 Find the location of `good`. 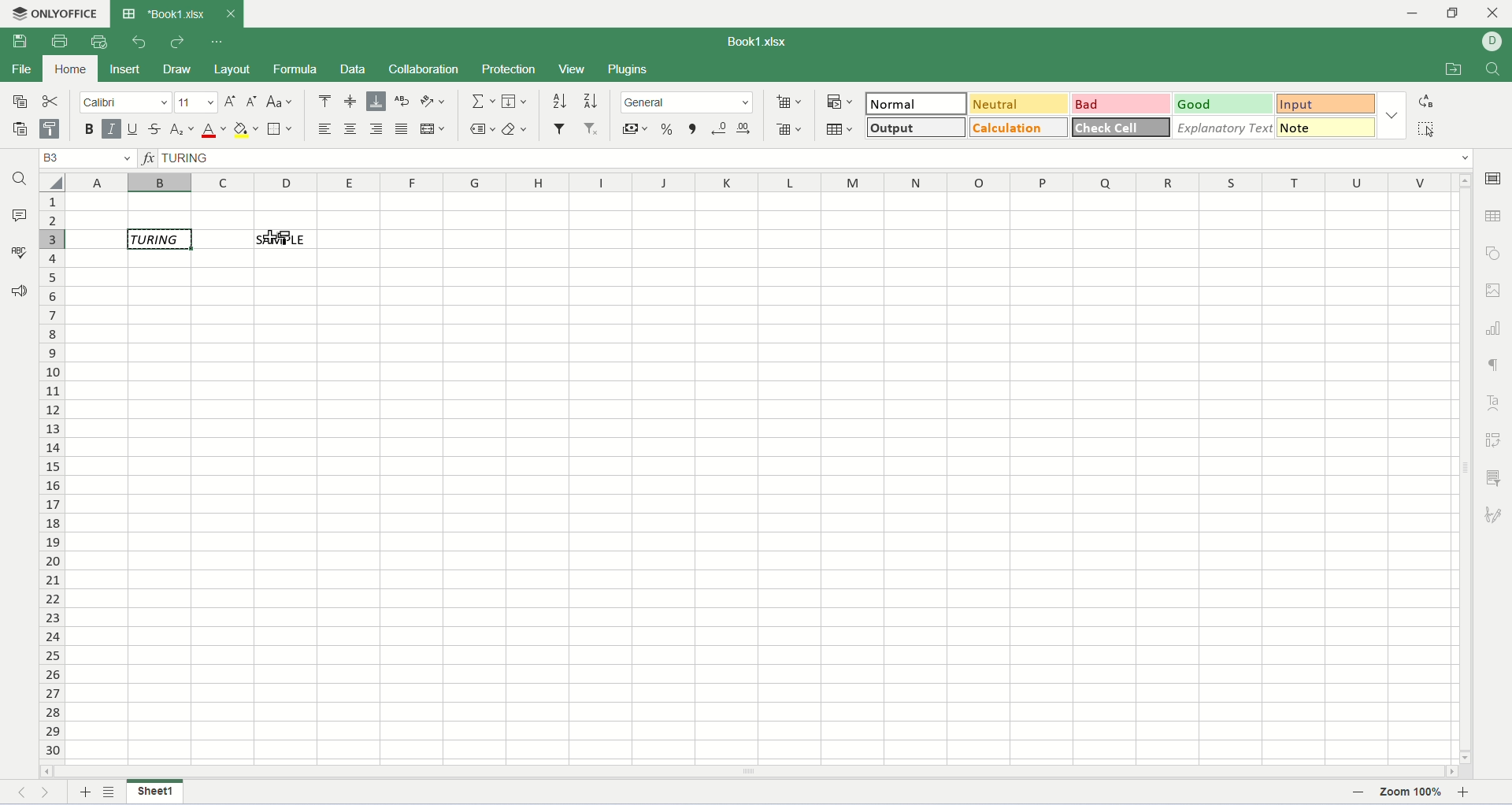

good is located at coordinates (1224, 104).